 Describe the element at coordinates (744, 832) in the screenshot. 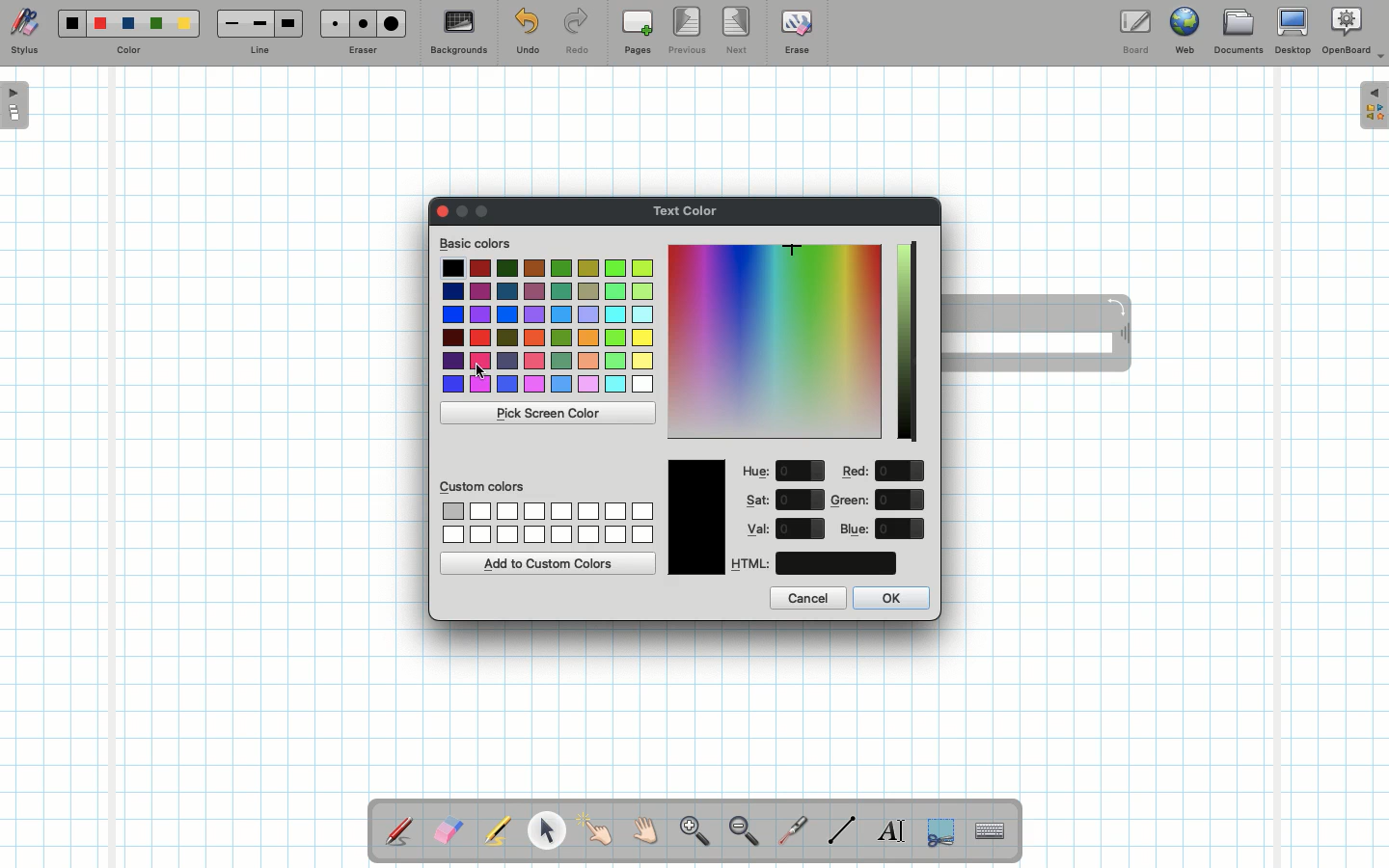

I see `Zoom out` at that location.